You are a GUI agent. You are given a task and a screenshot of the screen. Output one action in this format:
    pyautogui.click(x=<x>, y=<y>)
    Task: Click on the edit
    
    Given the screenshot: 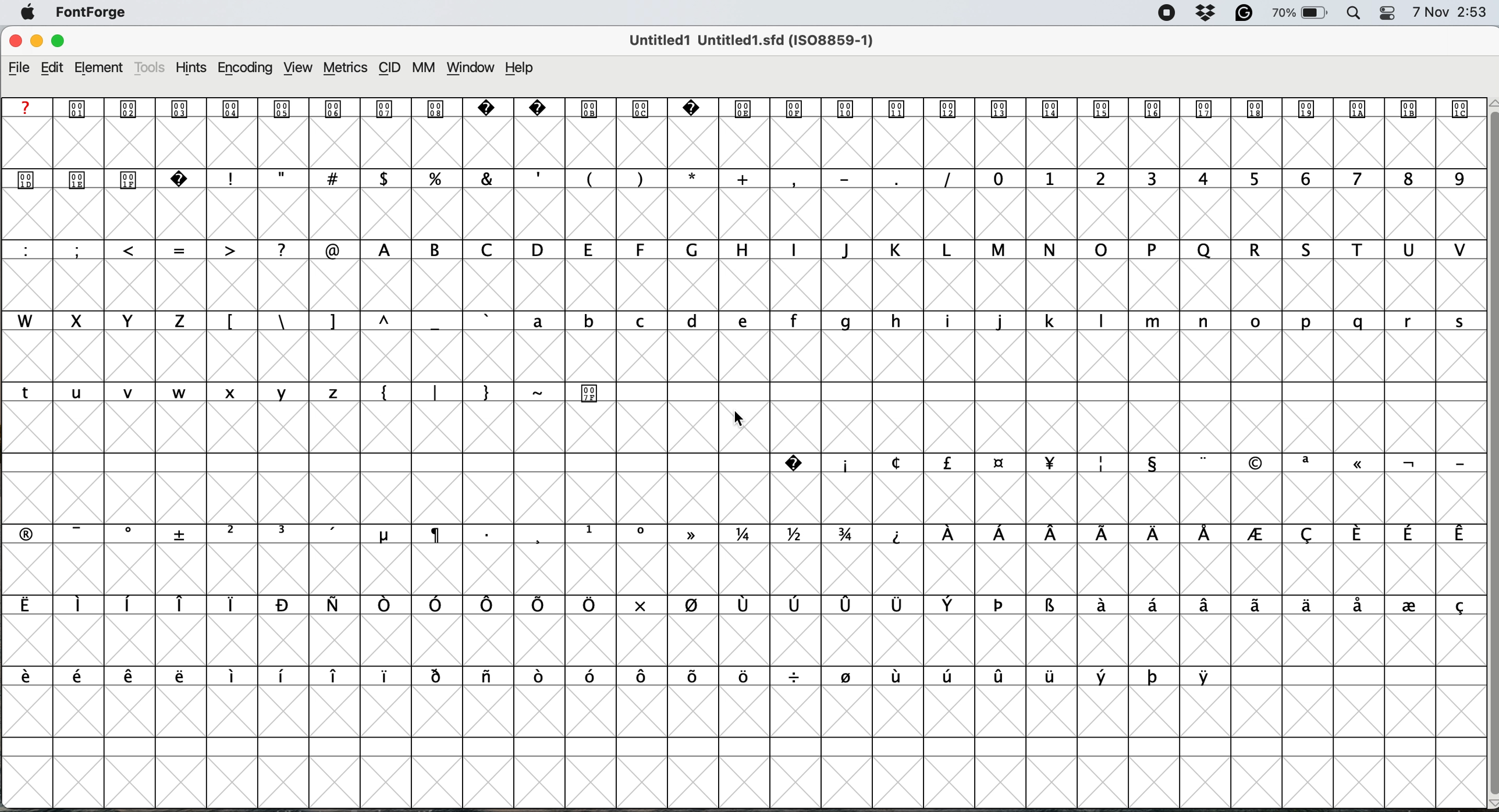 What is the action you would take?
    pyautogui.click(x=58, y=68)
    